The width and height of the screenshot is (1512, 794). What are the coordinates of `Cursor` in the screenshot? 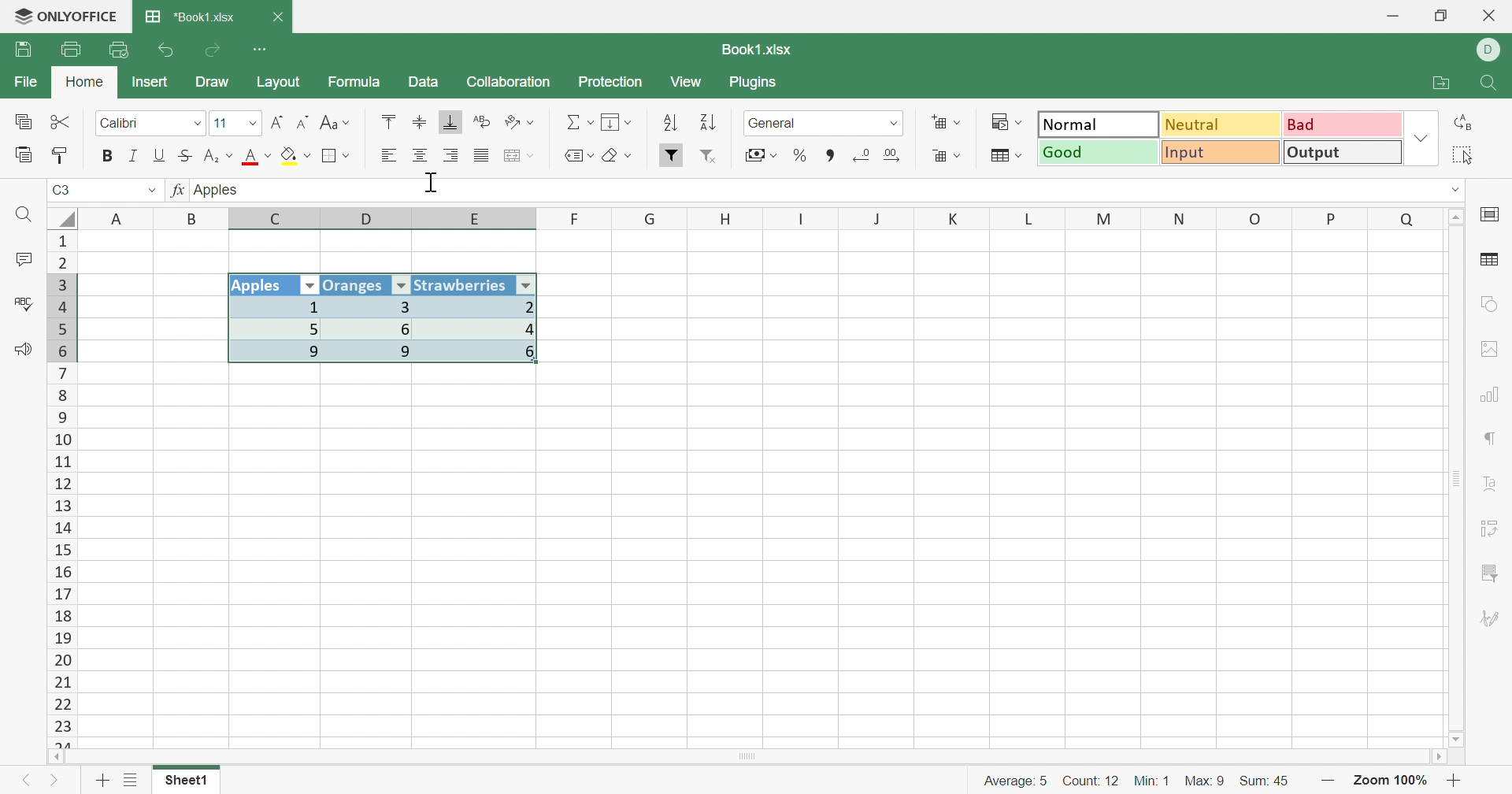 It's located at (434, 184).